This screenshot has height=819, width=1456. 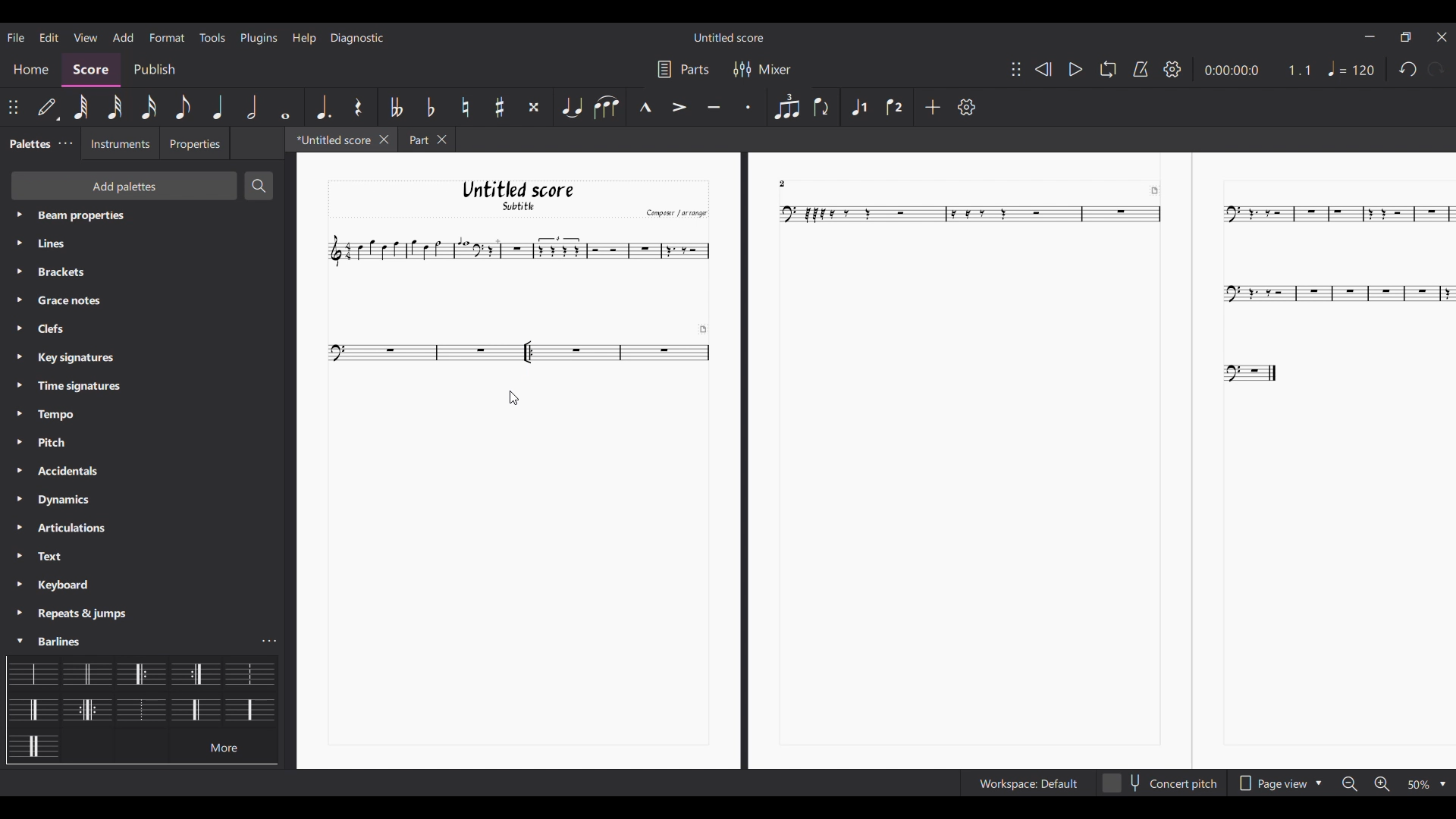 What do you see at coordinates (252, 107) in the screenshot?
I see `Half note` at bounding box center [252, 107].